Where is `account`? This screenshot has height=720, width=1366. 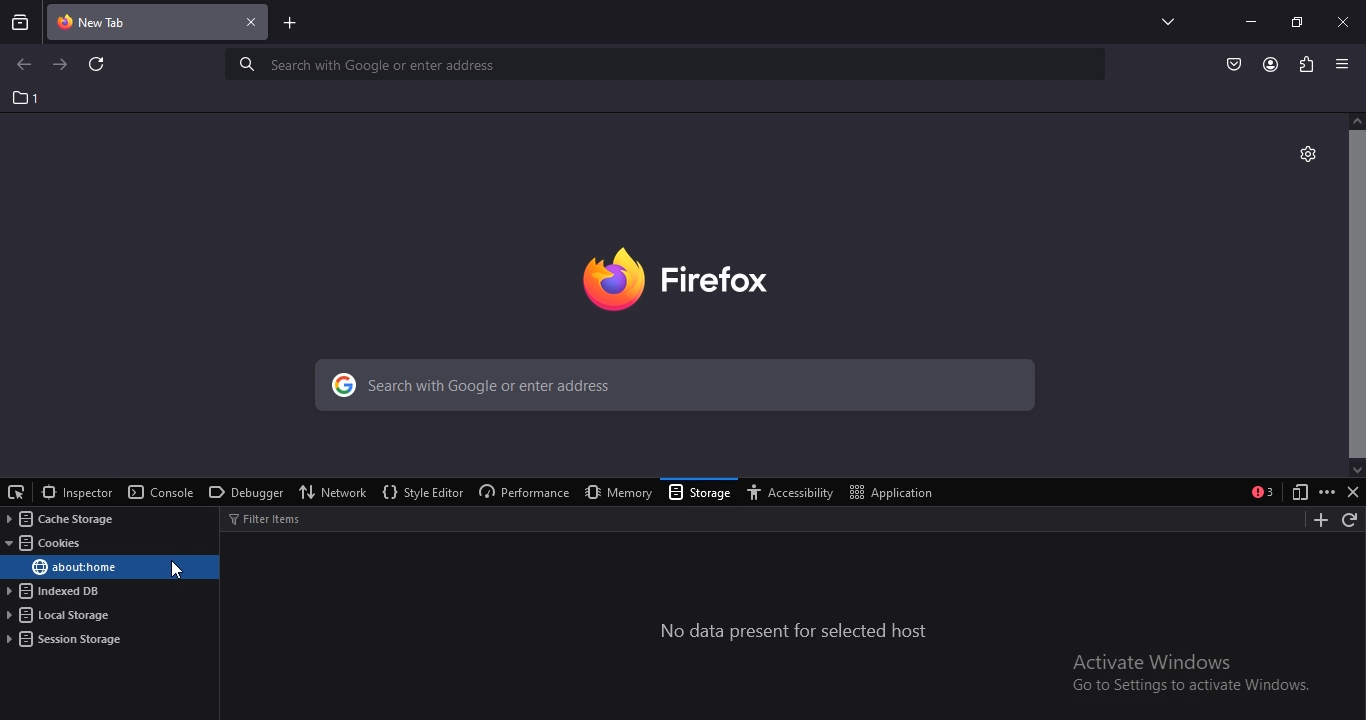 account is located at coordinates (1271, 65).